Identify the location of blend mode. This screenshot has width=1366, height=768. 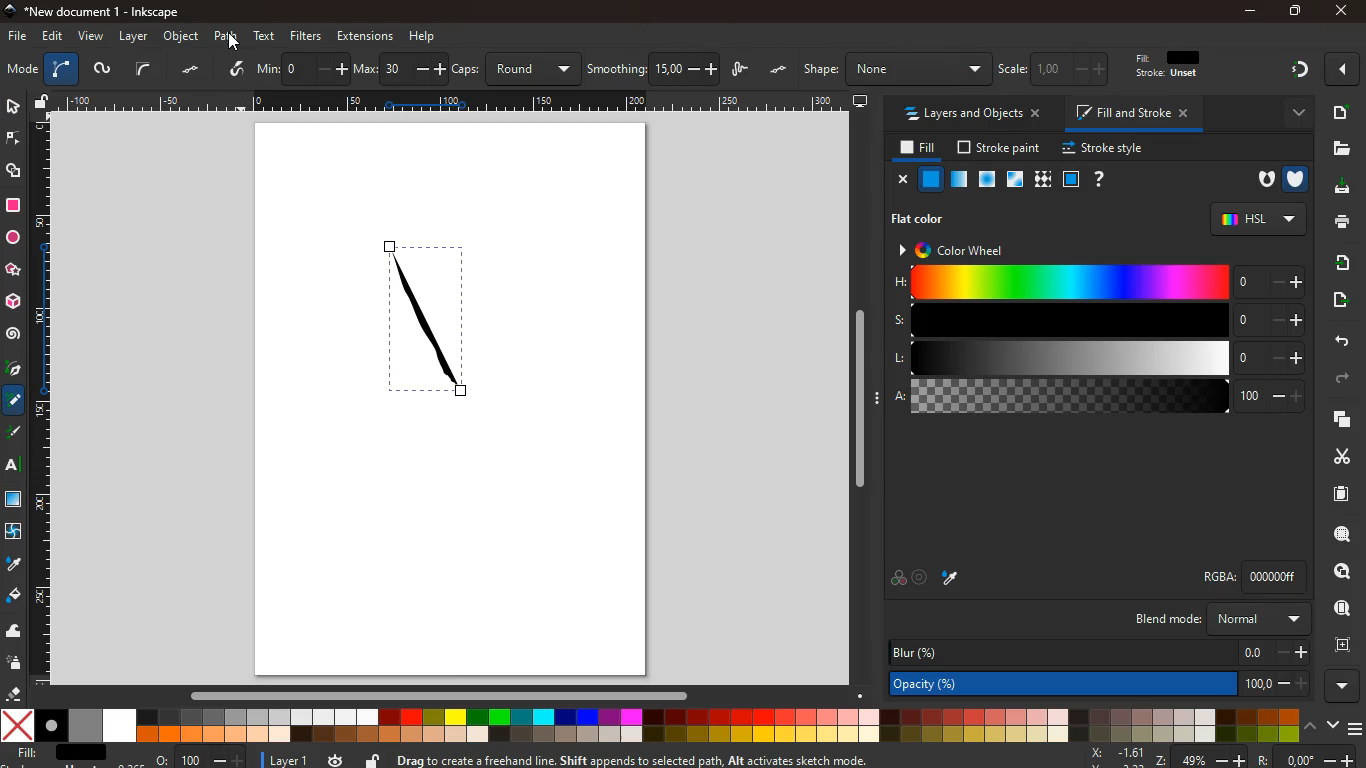
(1219, 619).